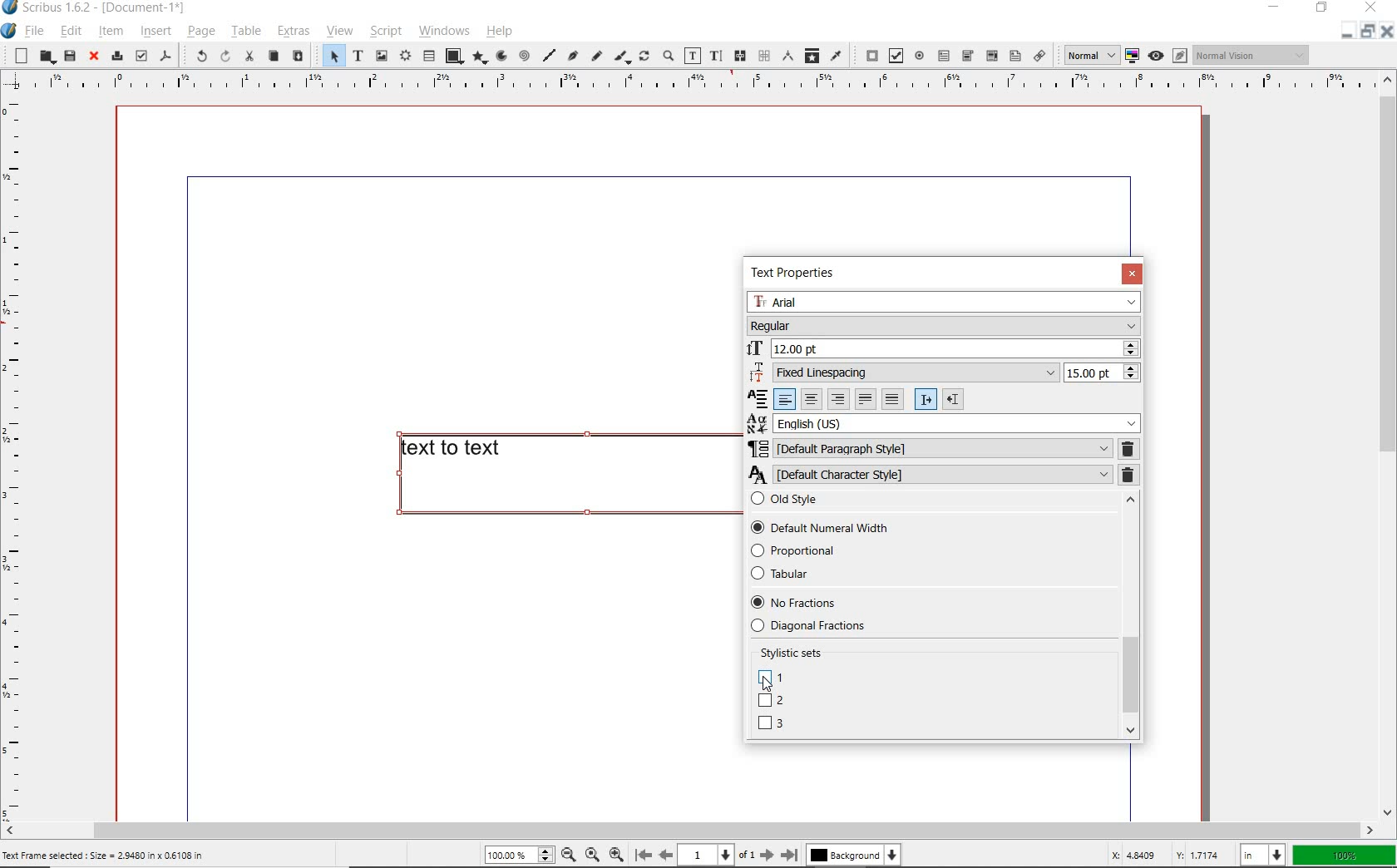 Image resolution: width=1397 pixels, height=868 pixels. Describe the element at coordinates (644, 57) in the screenshot. I see `rotate item` at that location.